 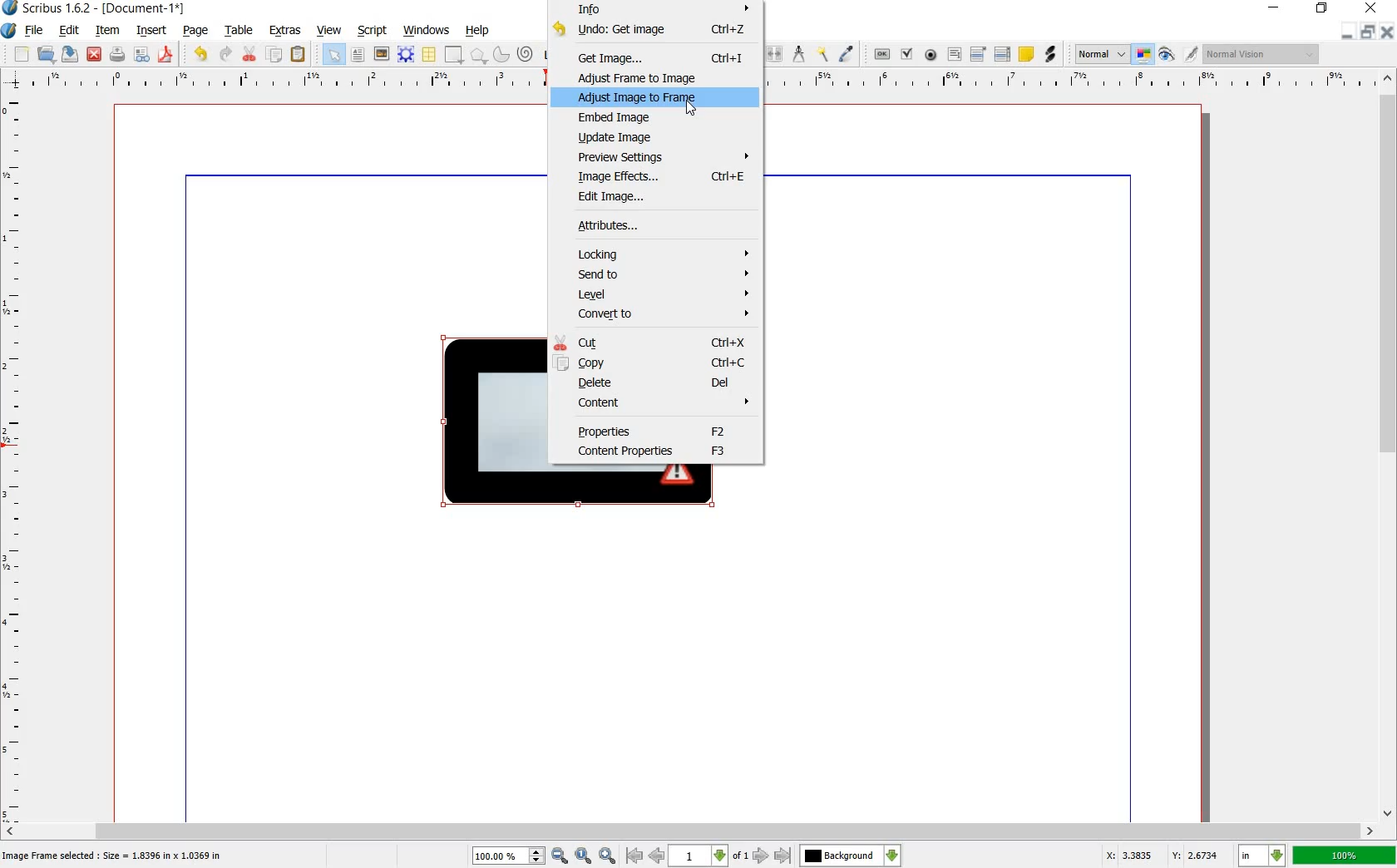 What do you see at coordinates (1369, 31) in the screenshot?
I see `restore document` at bounding box center [1369, 31].